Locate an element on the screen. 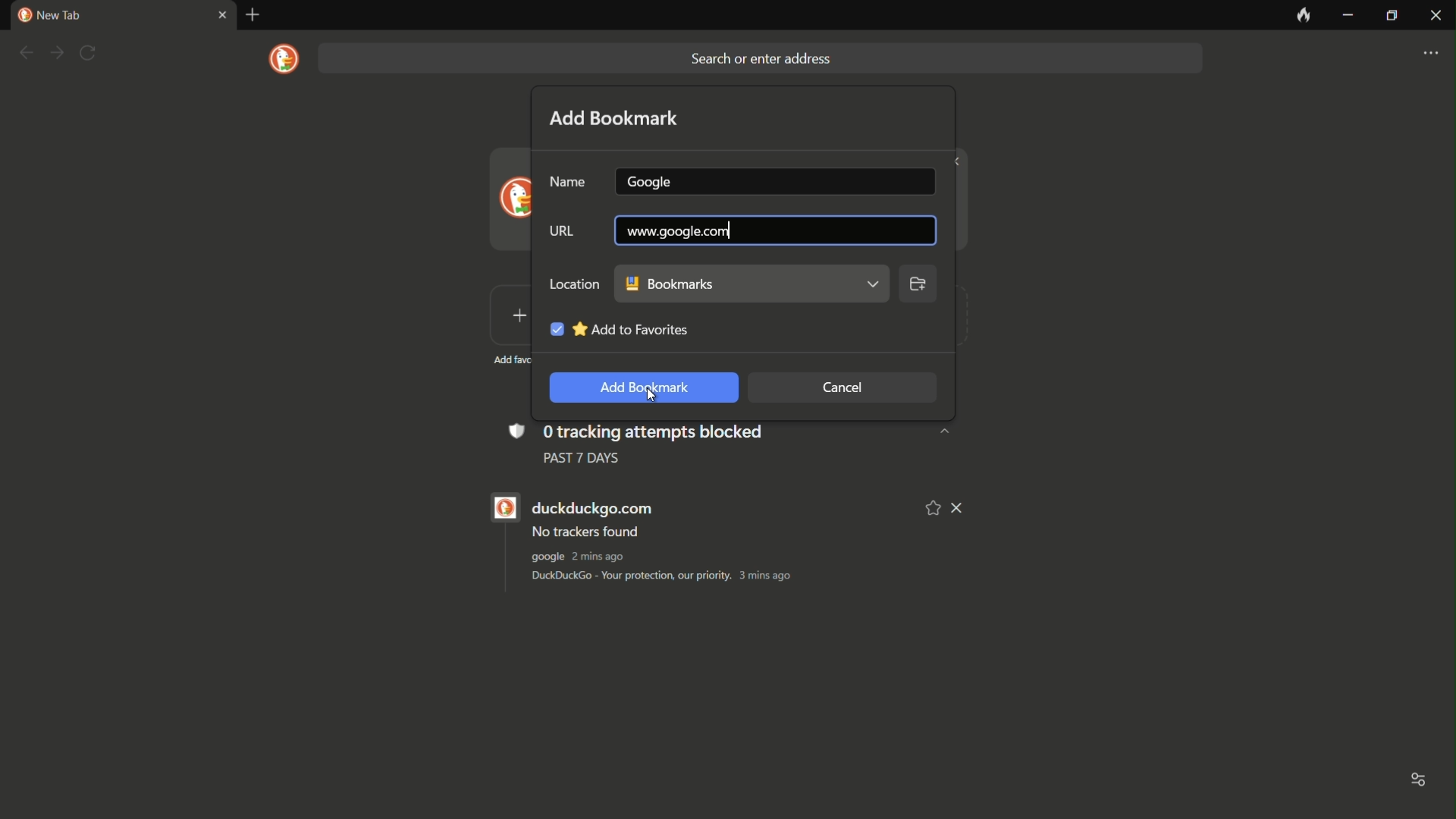  add to favorite is located at coordinates (617, 326).